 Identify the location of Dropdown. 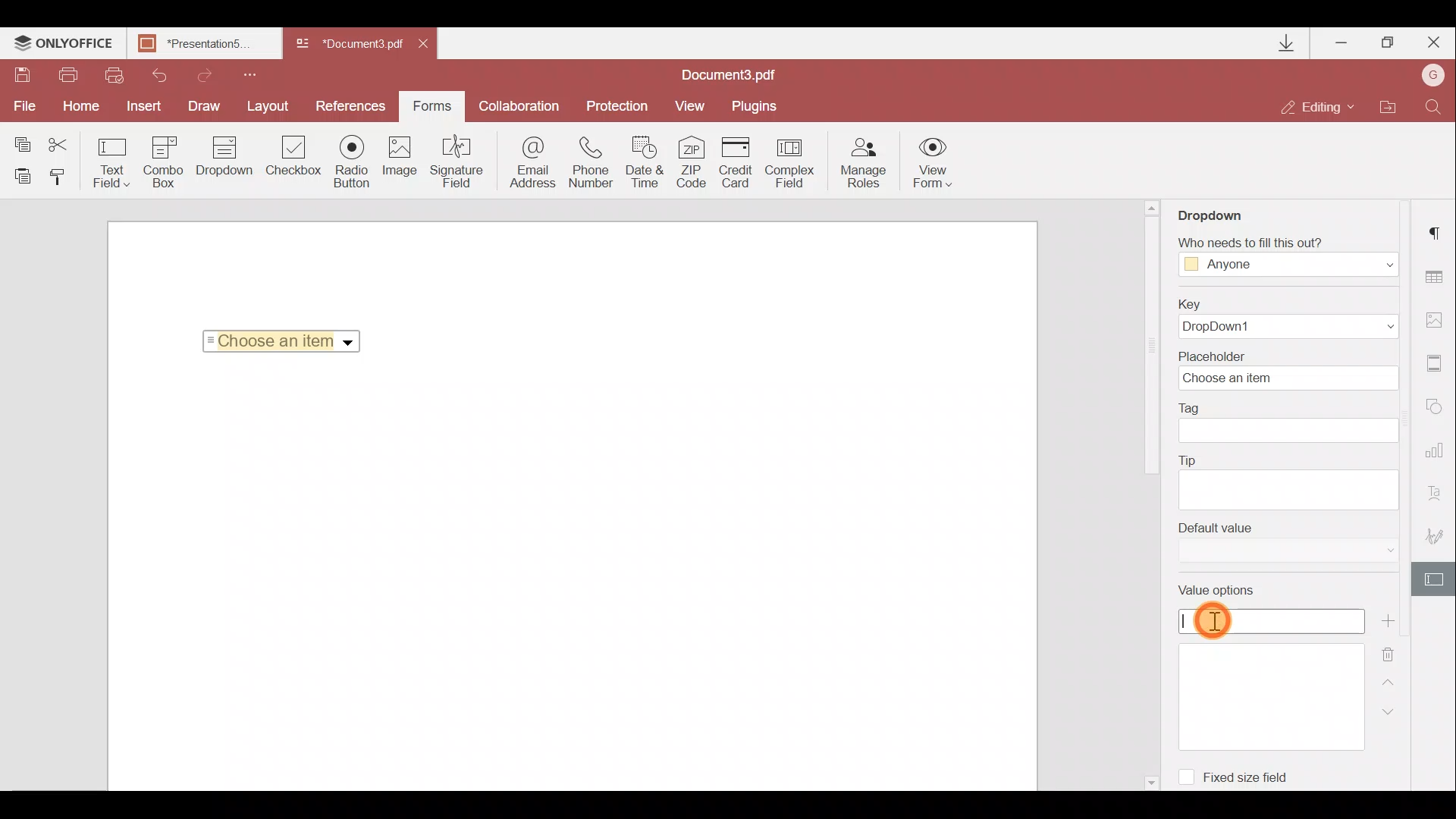
(1224, 210).